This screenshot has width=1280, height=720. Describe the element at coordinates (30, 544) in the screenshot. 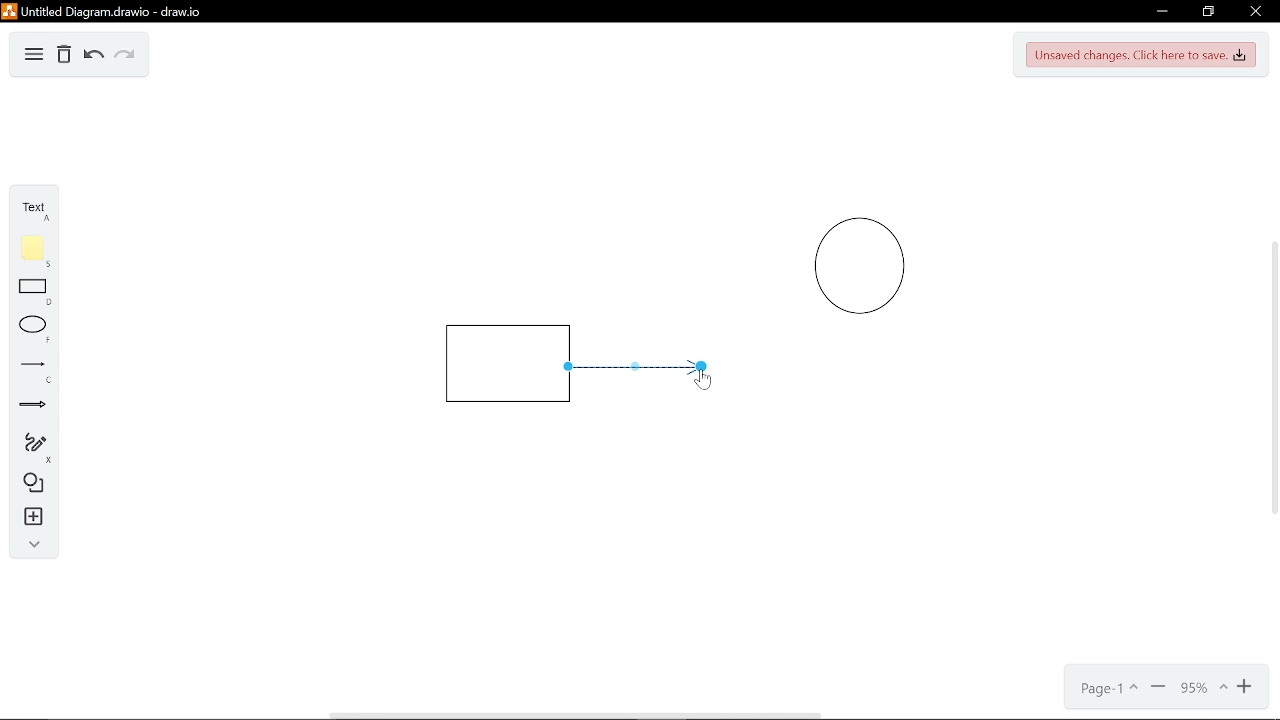

I see `Collapse` at that location.